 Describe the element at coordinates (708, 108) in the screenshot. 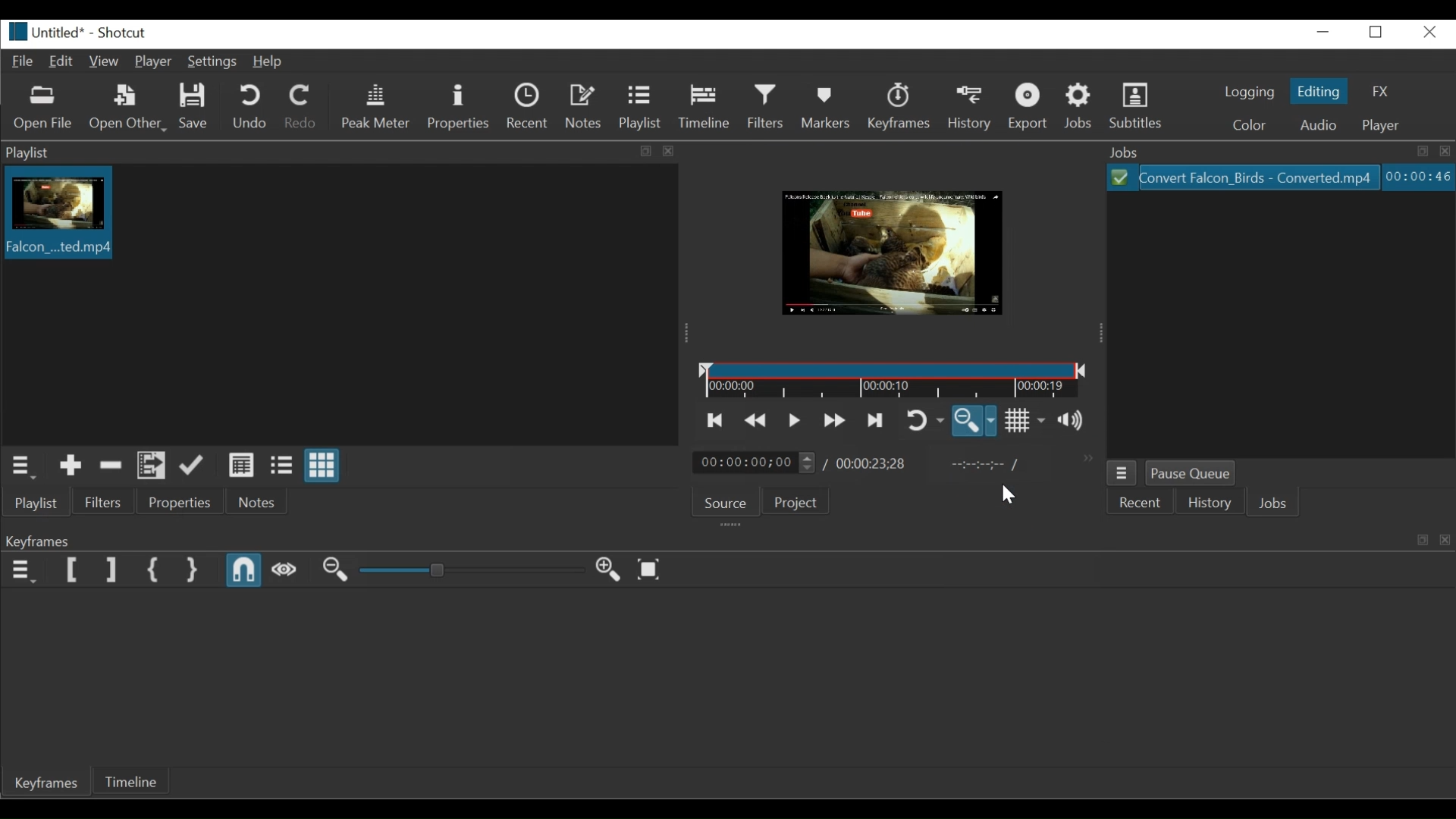

I see `Timeline` at that location.